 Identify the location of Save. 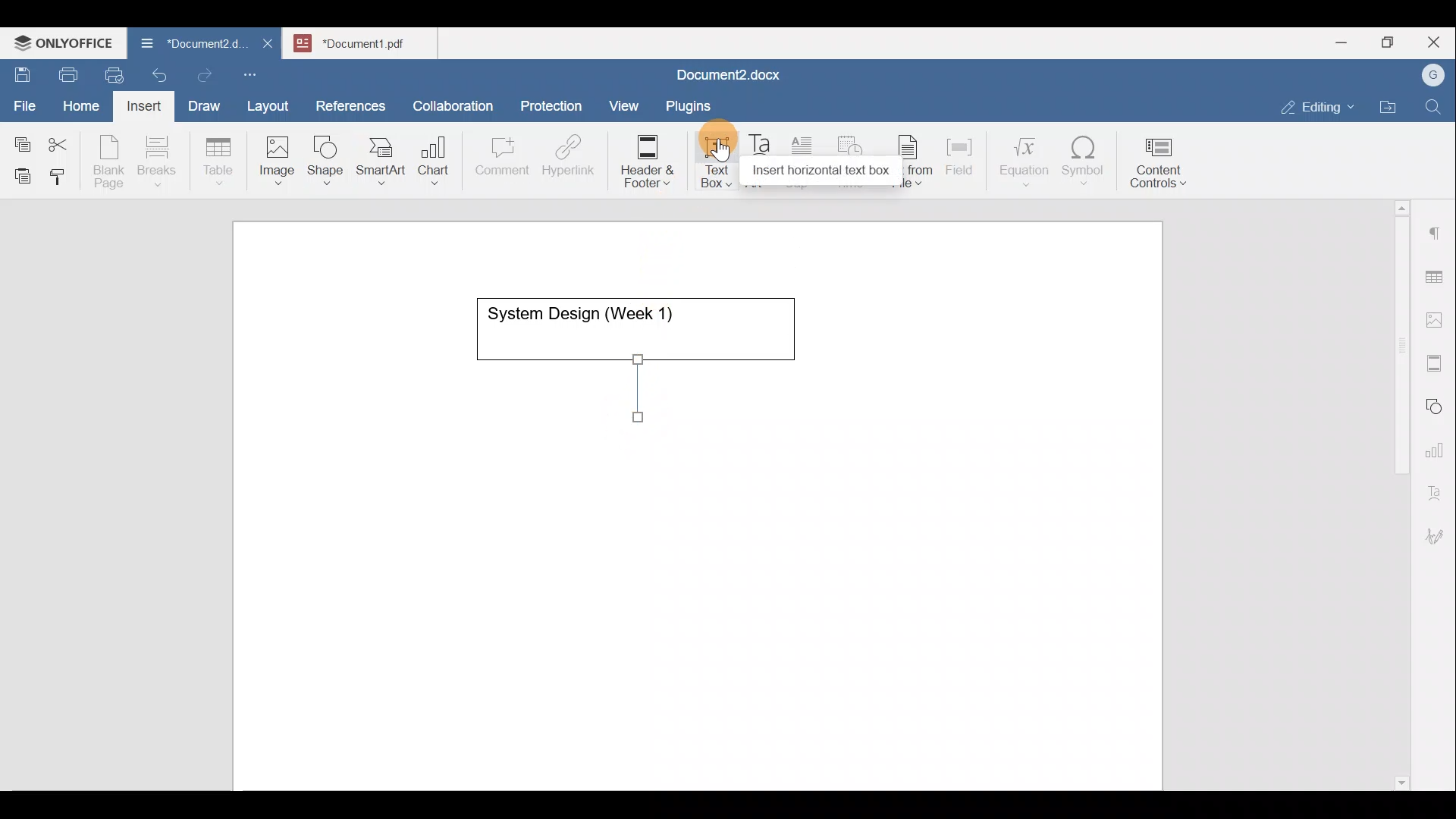
(21, 71).